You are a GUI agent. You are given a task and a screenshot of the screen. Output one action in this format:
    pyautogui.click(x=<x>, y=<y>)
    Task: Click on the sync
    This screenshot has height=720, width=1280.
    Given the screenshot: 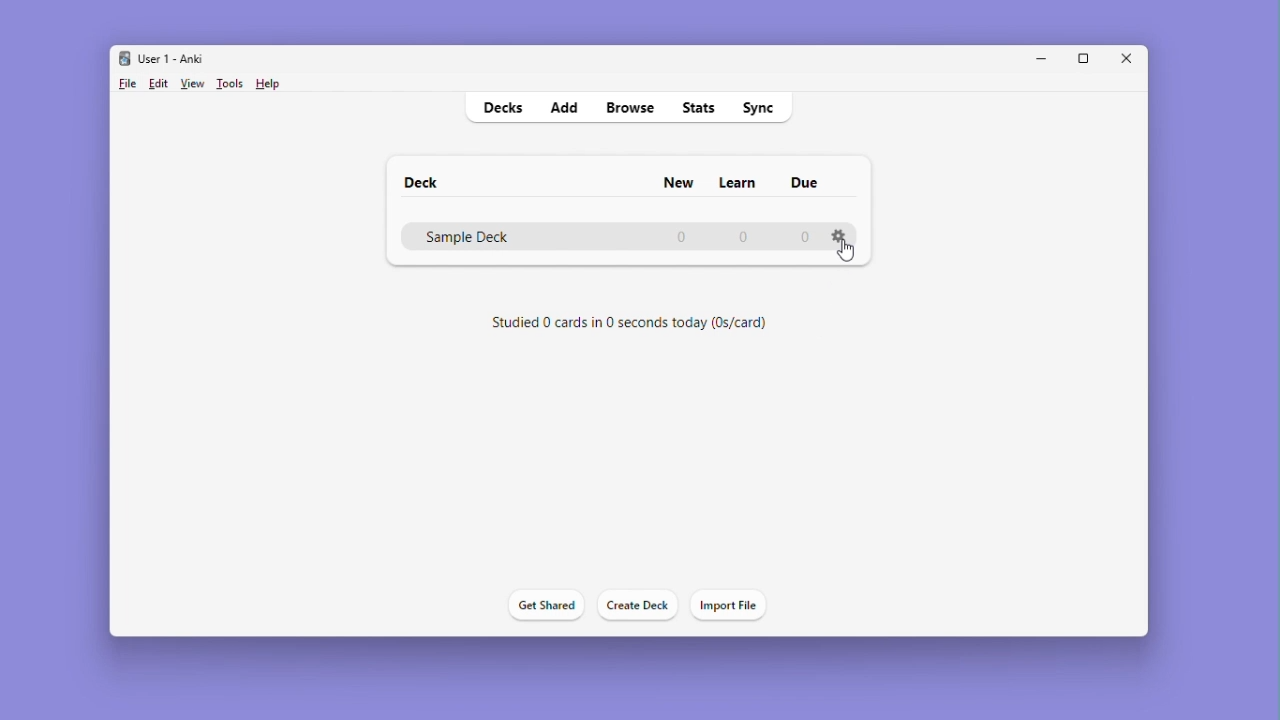 What is the action you would take?
    pyautogui.click(x=760, y=108)
    